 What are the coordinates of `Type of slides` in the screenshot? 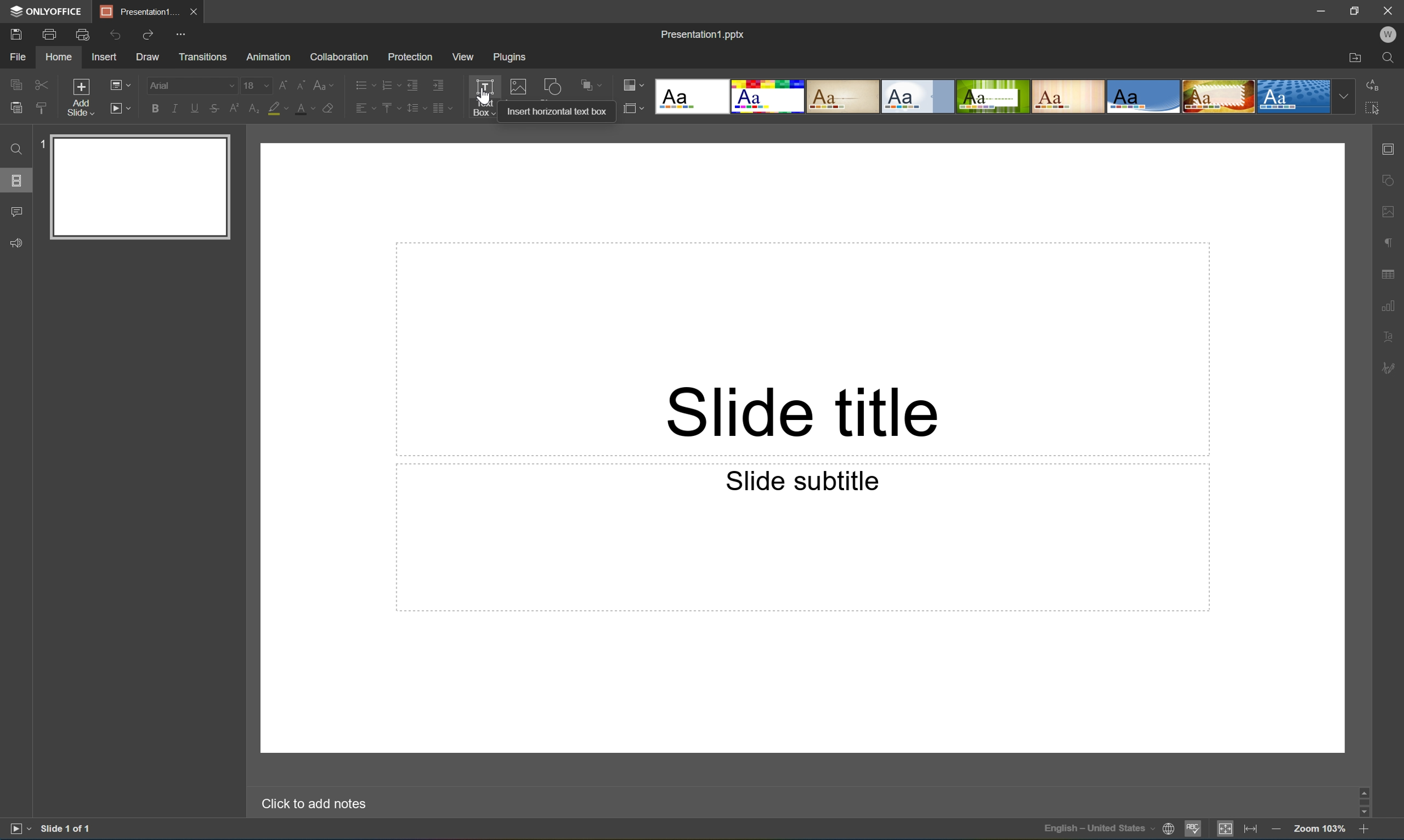 It's located at (992, 97).